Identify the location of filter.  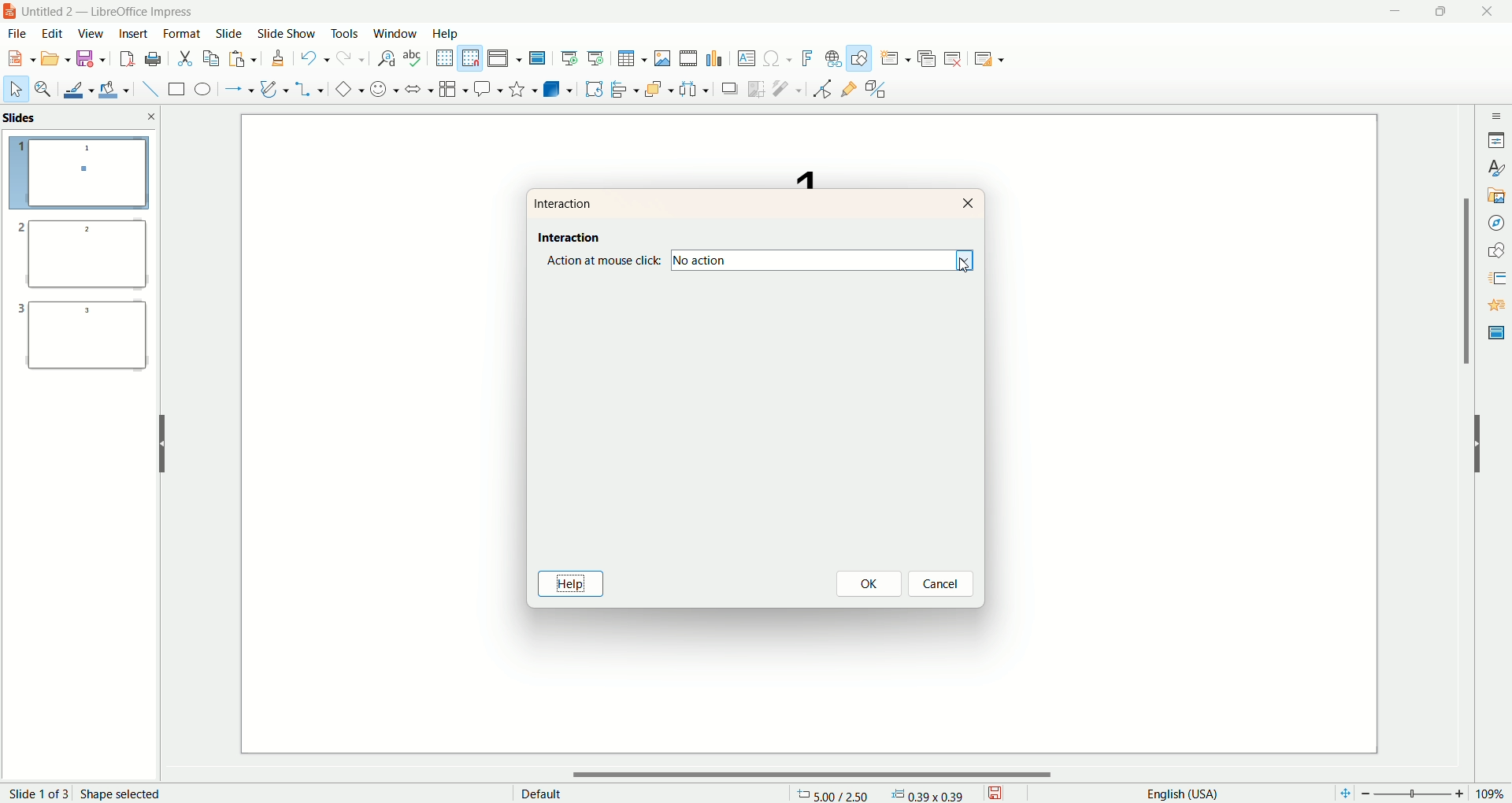
(787, 89).